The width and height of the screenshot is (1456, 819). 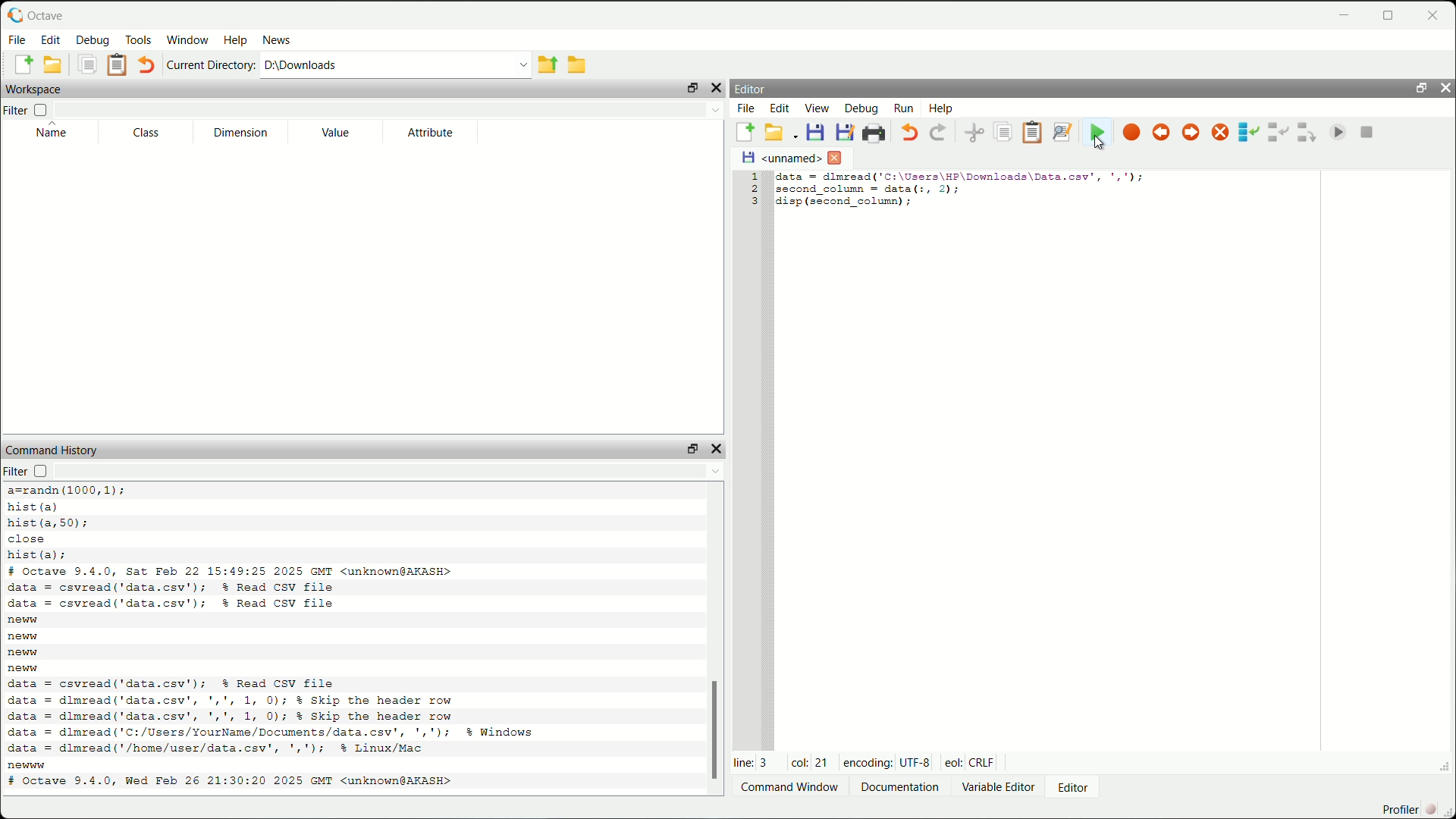 I want to click on cut, so click(x=977, y=134).